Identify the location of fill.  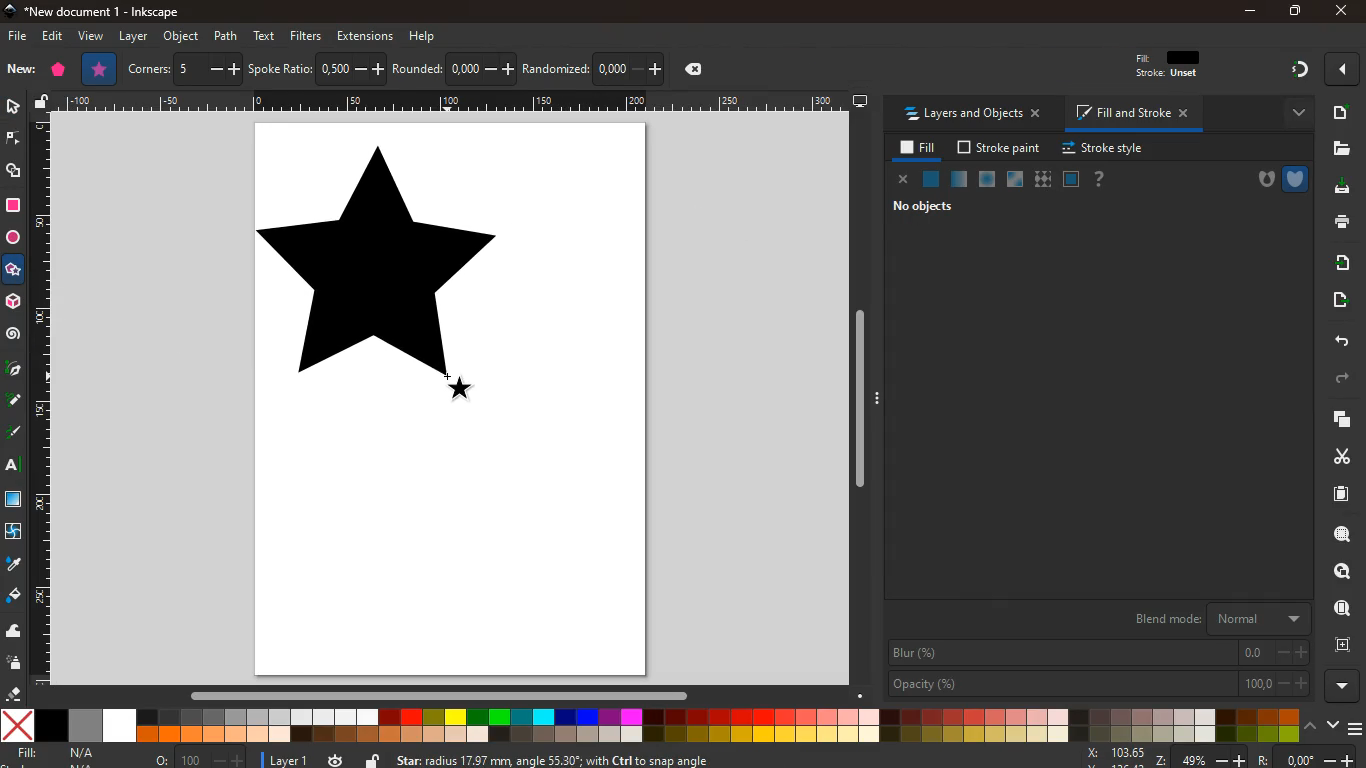
(1180, 66).